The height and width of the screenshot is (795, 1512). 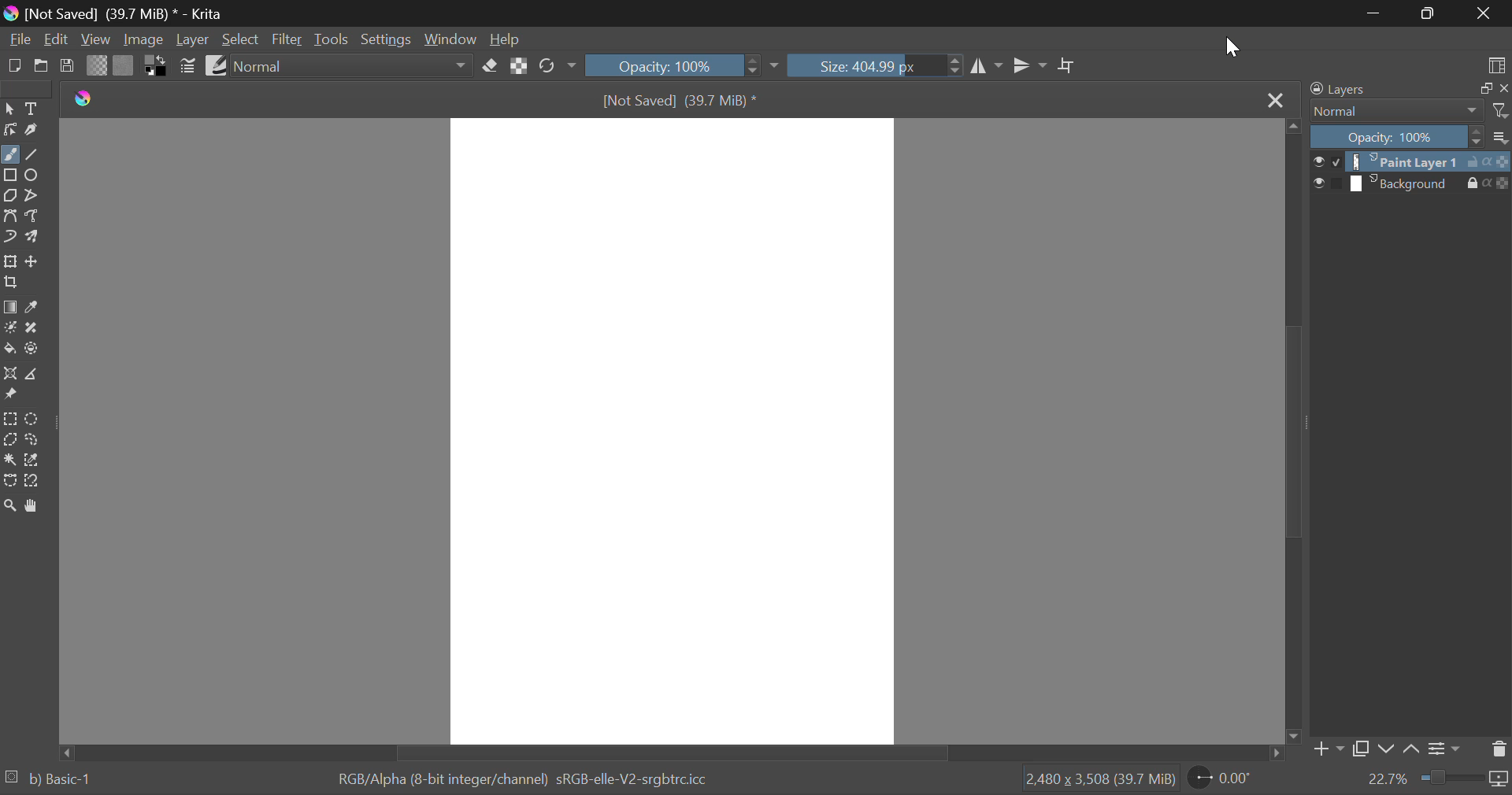 I want to click on Smart Patch Tool, so click(x=33, y=329).